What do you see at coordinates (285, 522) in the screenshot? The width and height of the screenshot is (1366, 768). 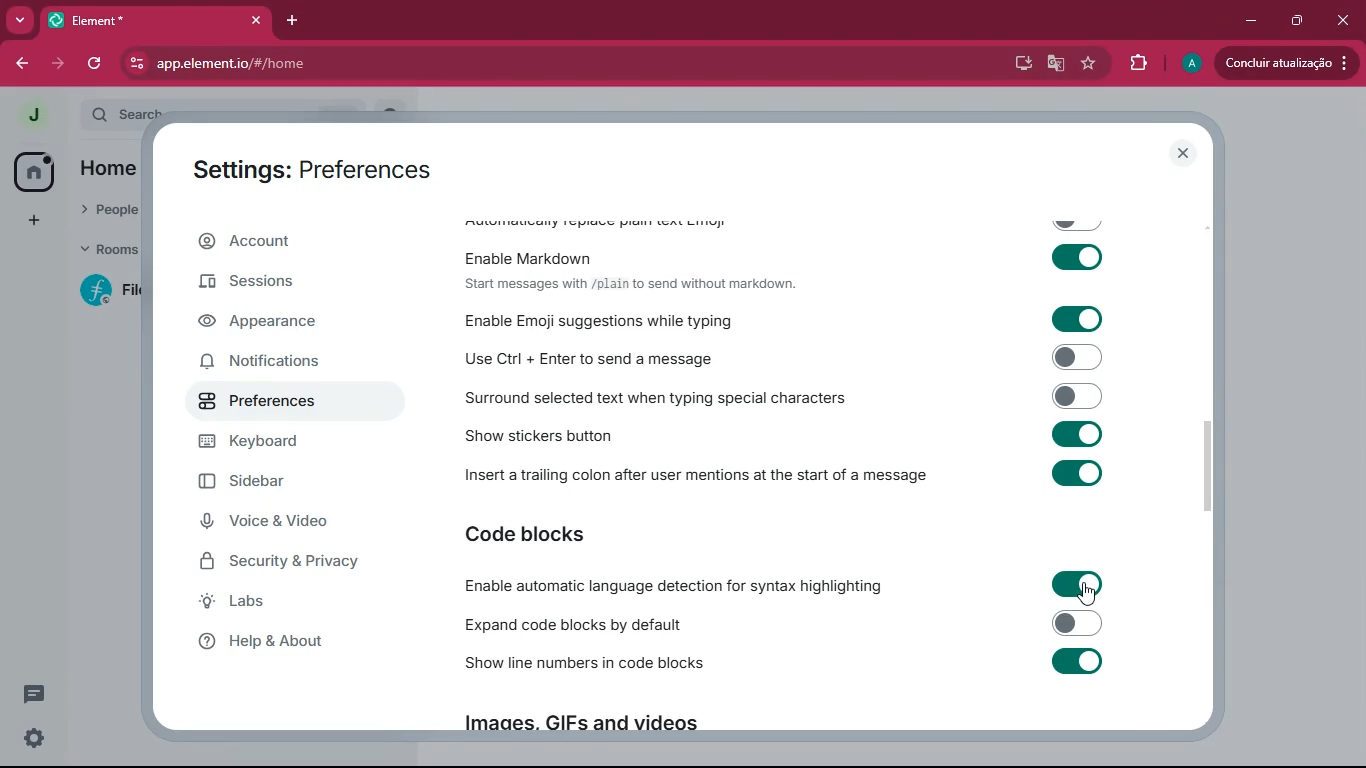 I see `voice & video` at bounding box center [285, 522].